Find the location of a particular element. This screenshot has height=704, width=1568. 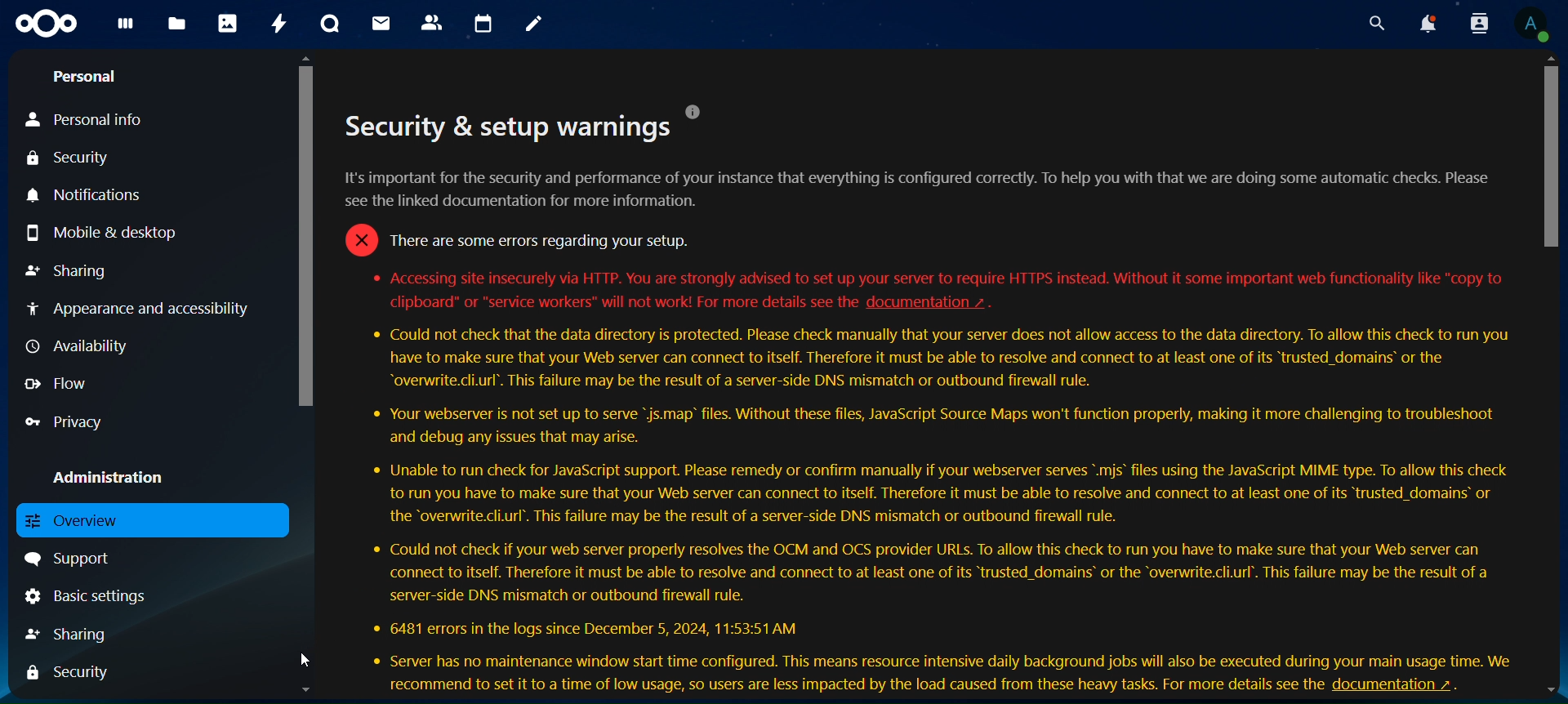

security is located at coordinates (71, 673).